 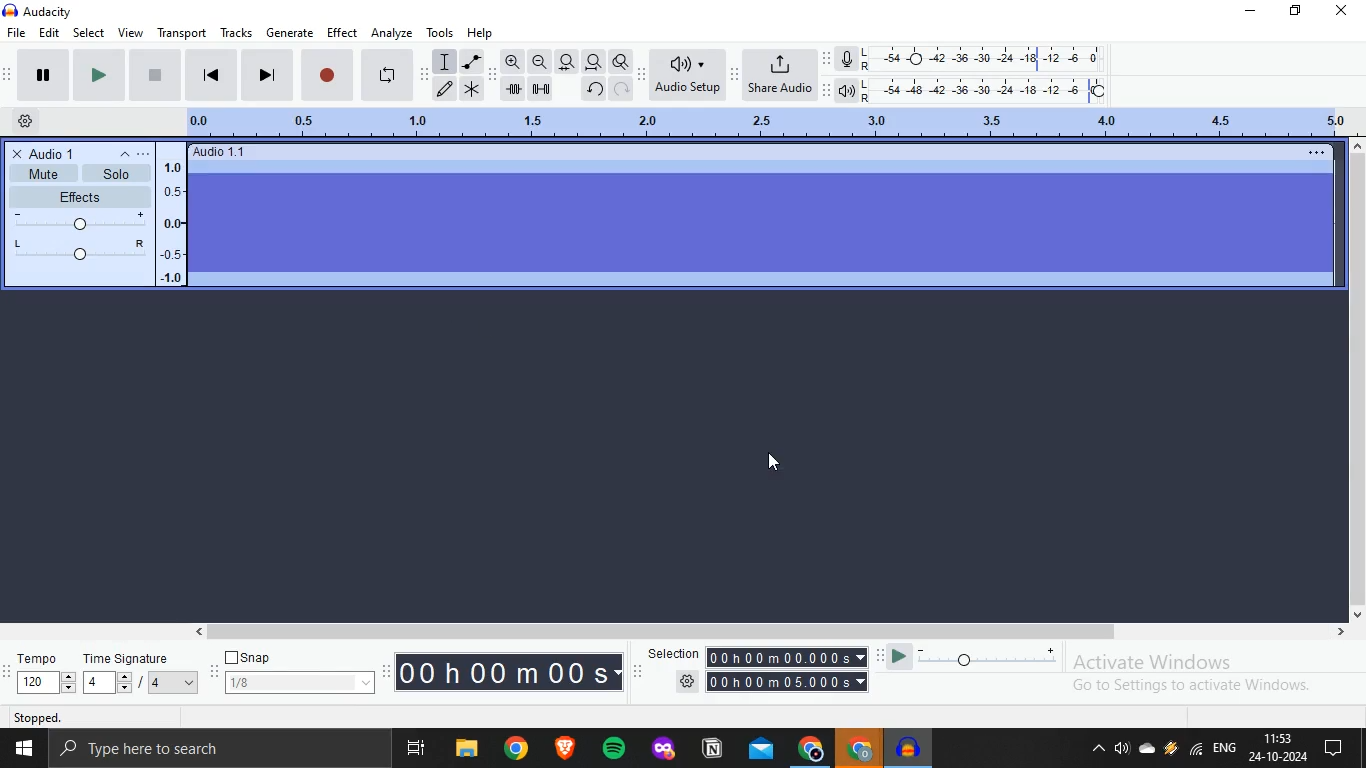 I want to click on Help, so click(x=485, y=32).